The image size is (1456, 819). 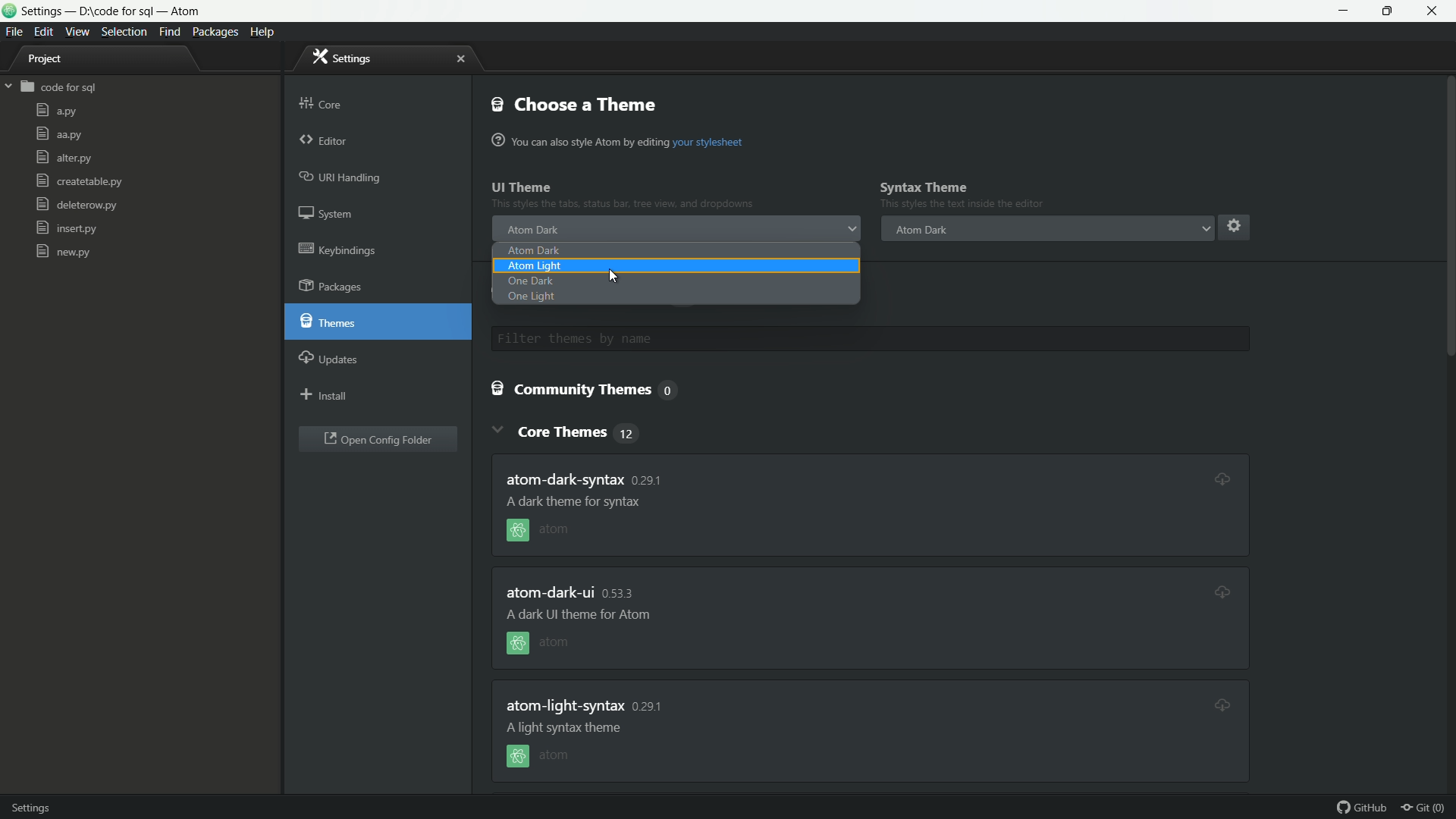 I want to click on atom light, so click(x=534, y=267).